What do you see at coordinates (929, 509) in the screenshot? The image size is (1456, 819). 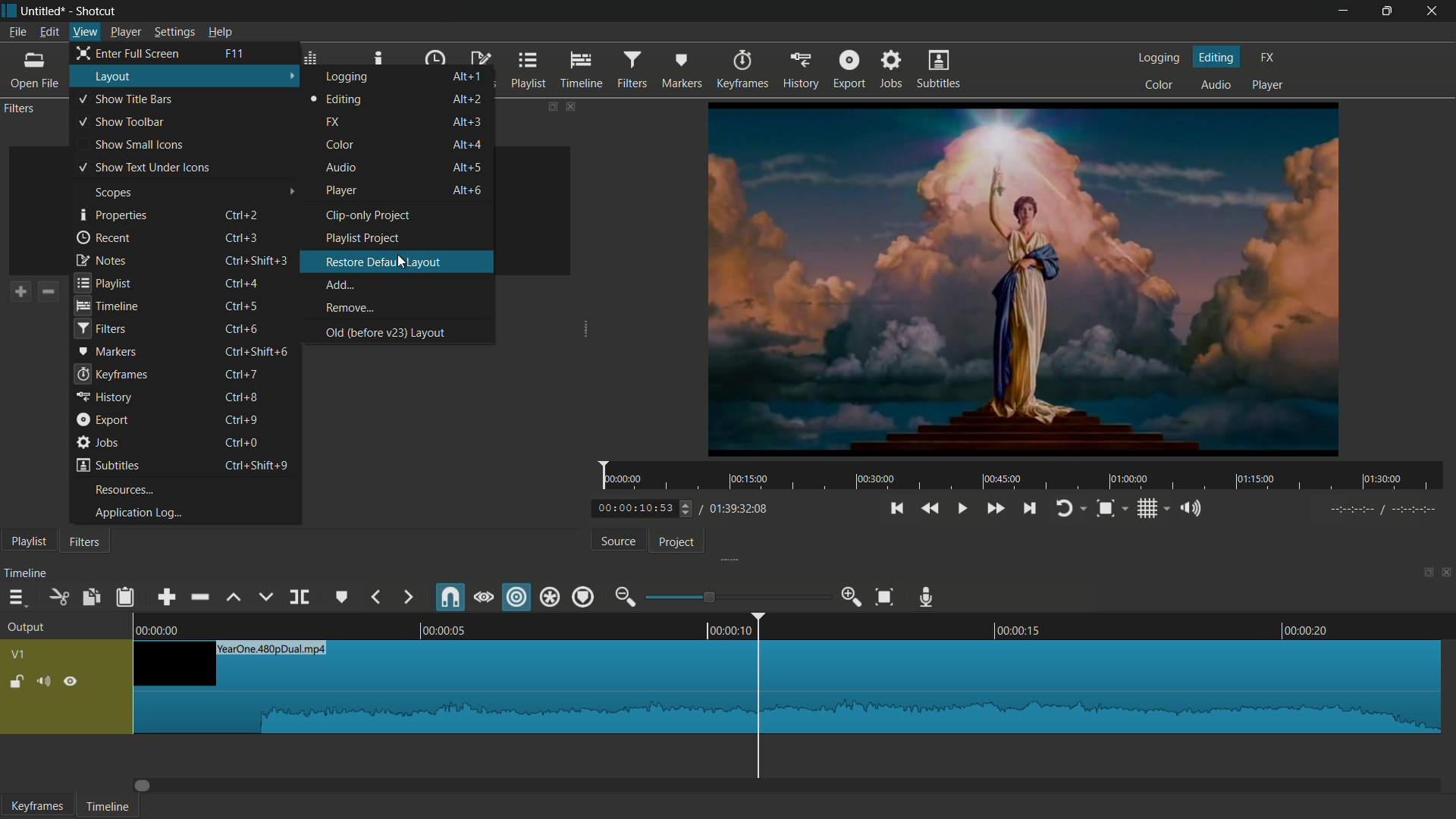 I see `quickly play backward` at bounding box center [929, 509].